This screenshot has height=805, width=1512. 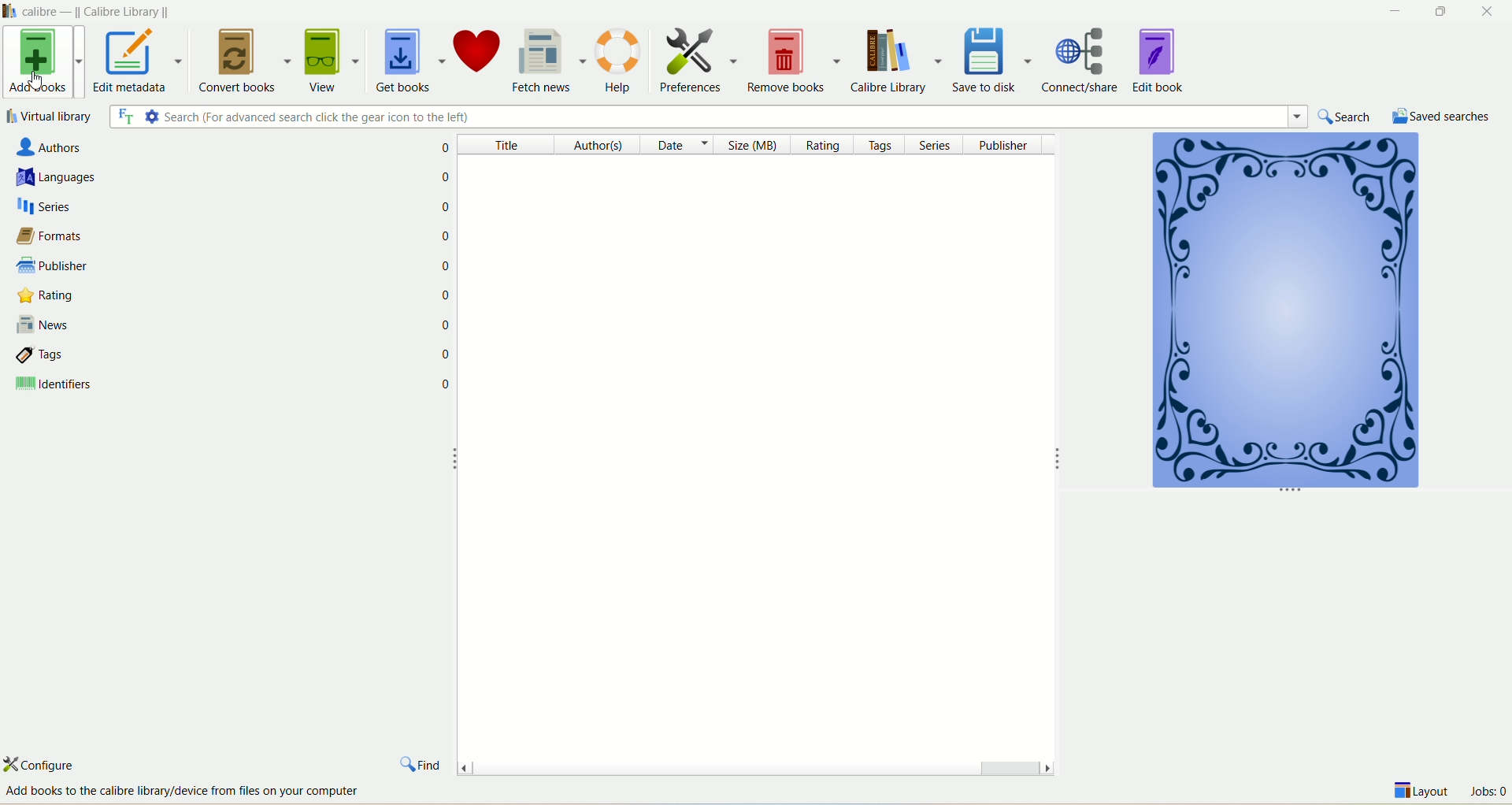 What do you see at coordinates (939, 144) in the screenshot?
I see `series` at bounding box center [939, 144].